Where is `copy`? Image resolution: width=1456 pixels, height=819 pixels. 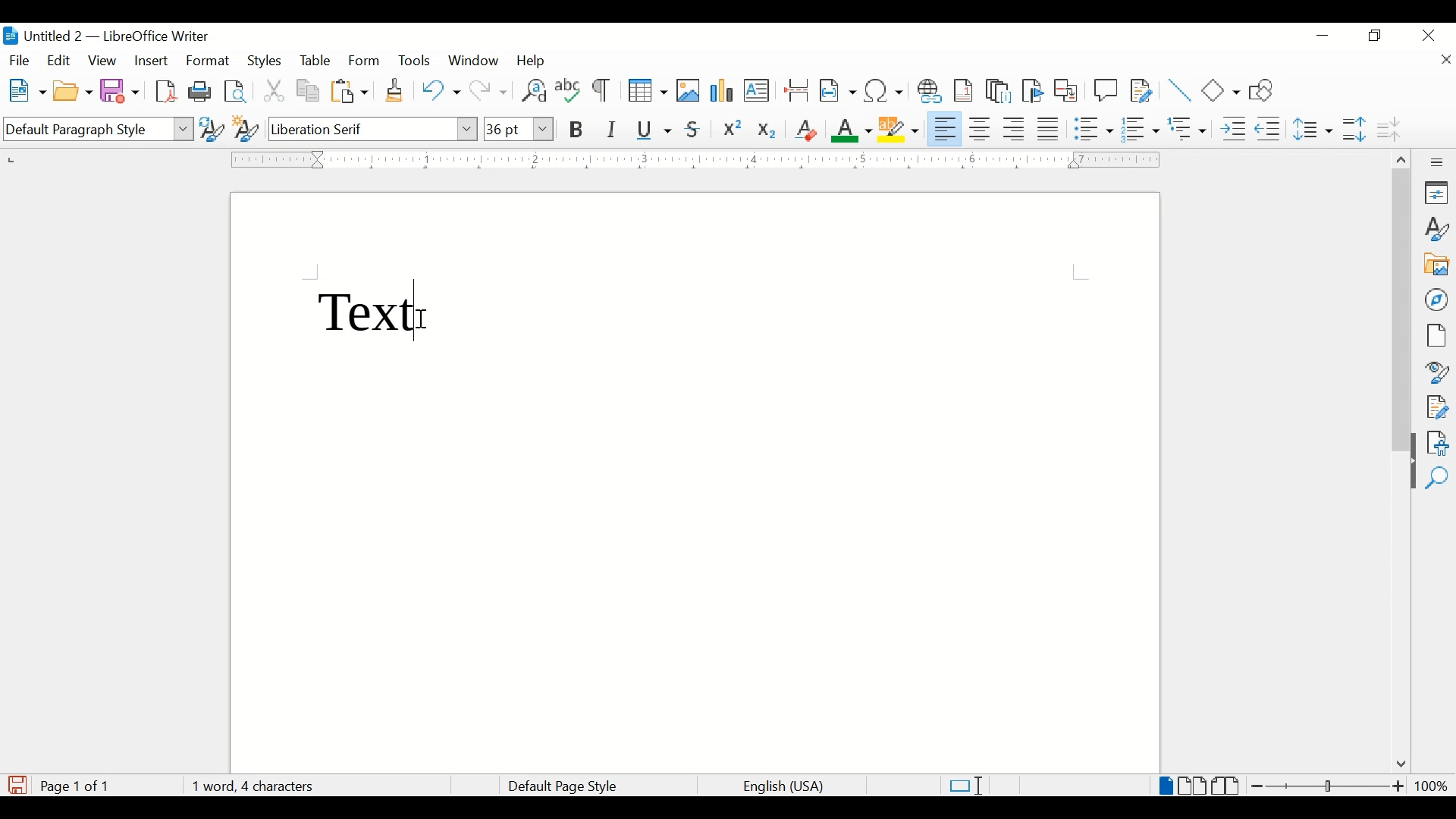
copy is located at coordinates (309, 91).